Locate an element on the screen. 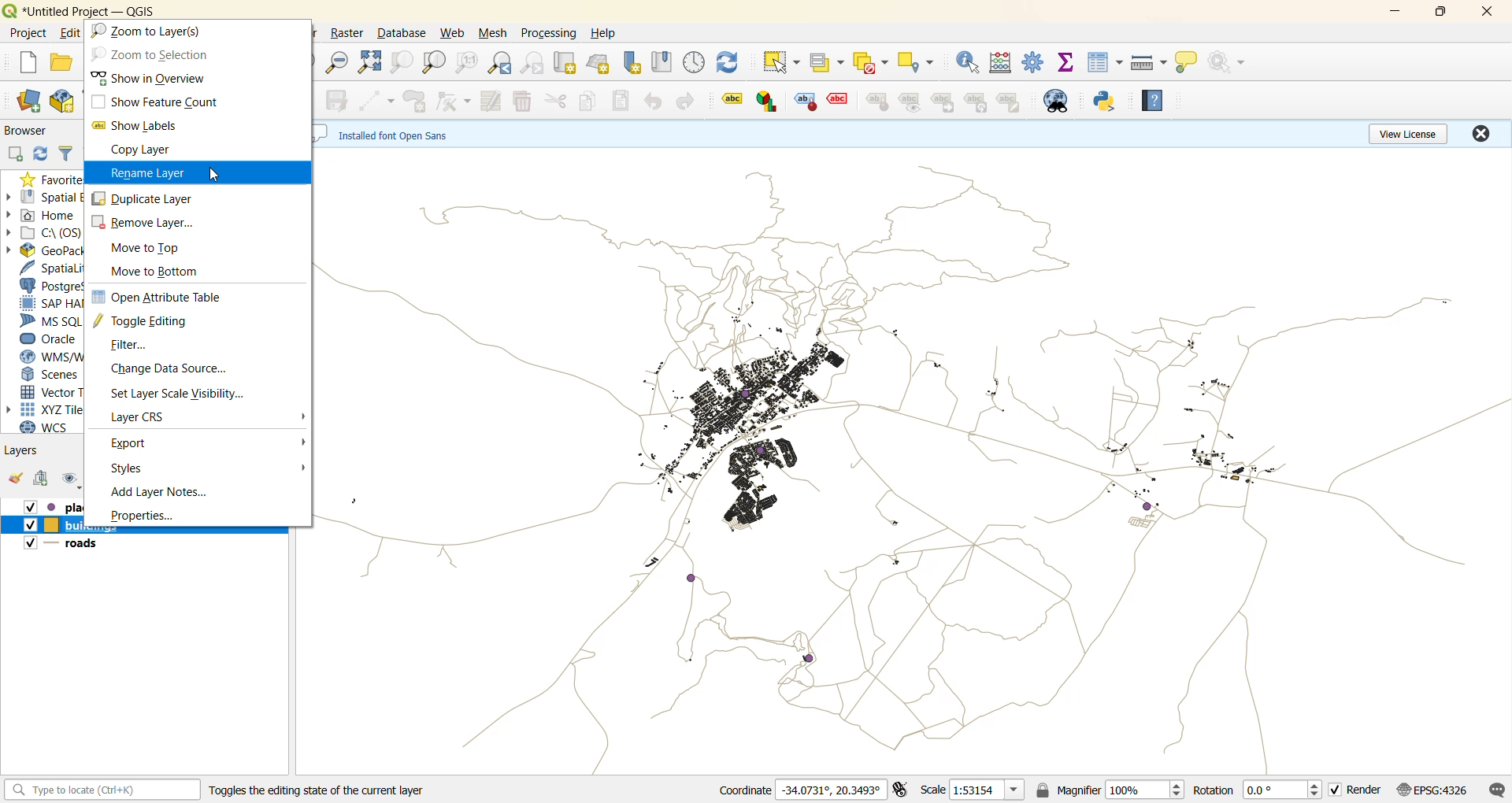 Image resolution: width=1512 pixels, height=803 pixels. properties is located at coordinates (144, 516).